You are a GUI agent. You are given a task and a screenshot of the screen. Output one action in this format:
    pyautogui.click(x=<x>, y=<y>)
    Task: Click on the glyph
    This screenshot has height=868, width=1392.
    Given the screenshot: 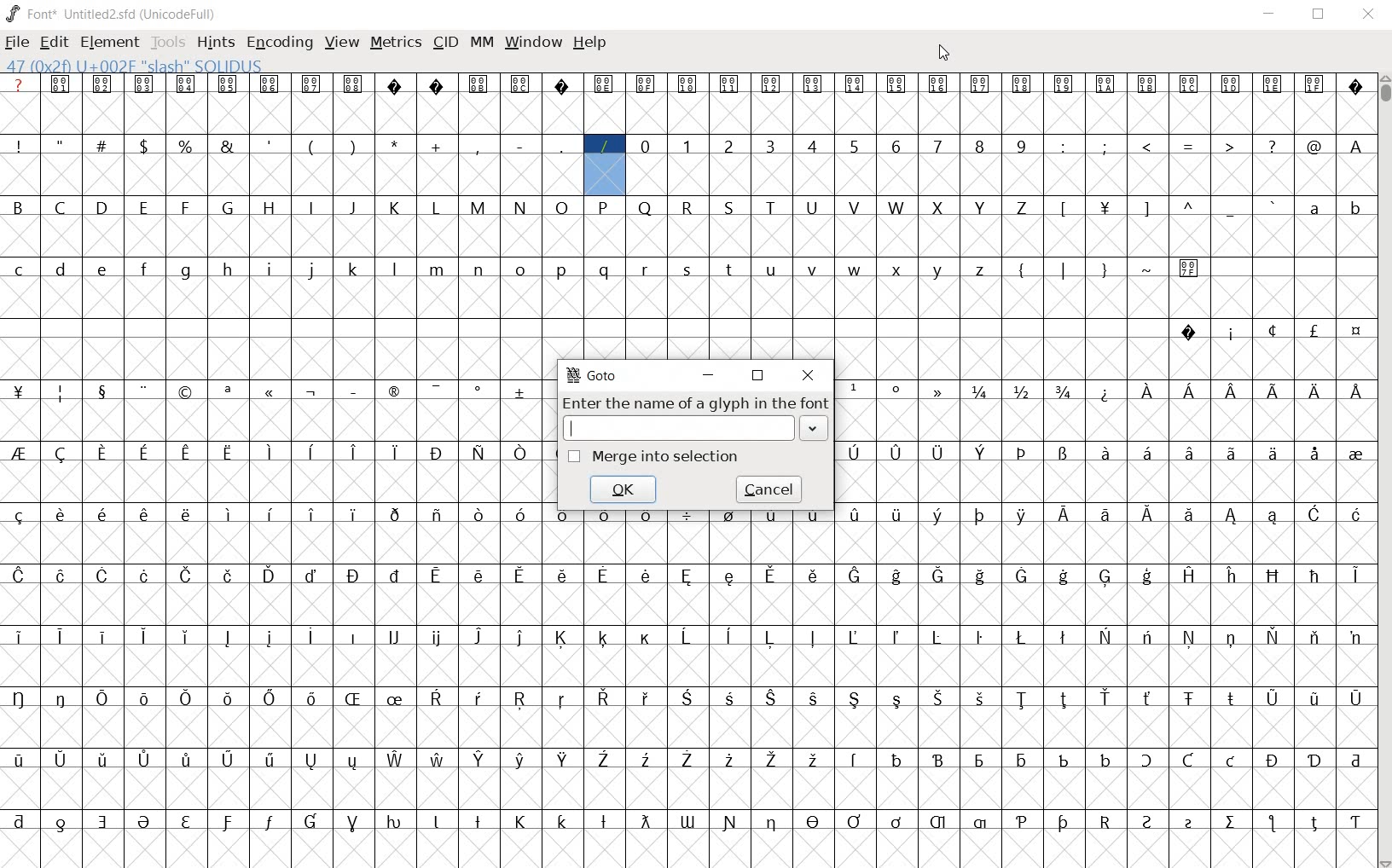 What is the action you would take?
    pyautogui.click(x=980, y=516)
    